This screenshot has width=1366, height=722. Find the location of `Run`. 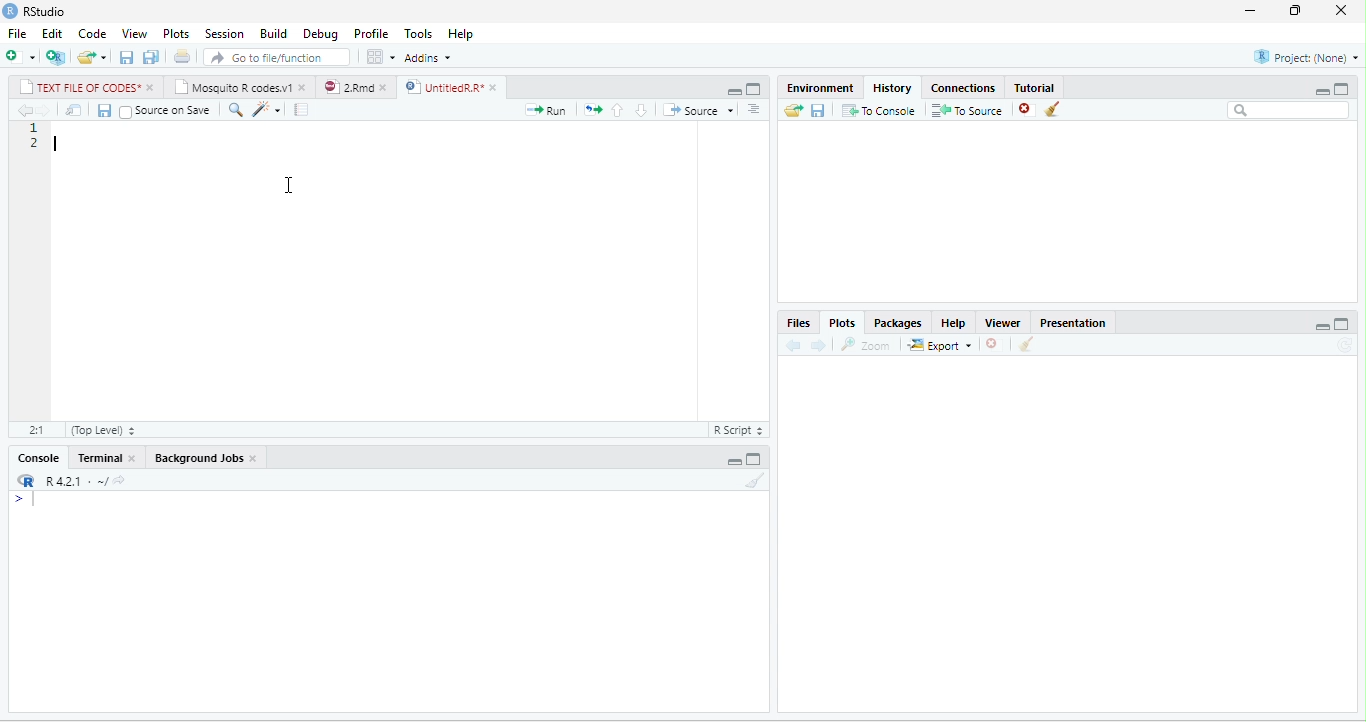

Run is located at coordinates (545, 110).